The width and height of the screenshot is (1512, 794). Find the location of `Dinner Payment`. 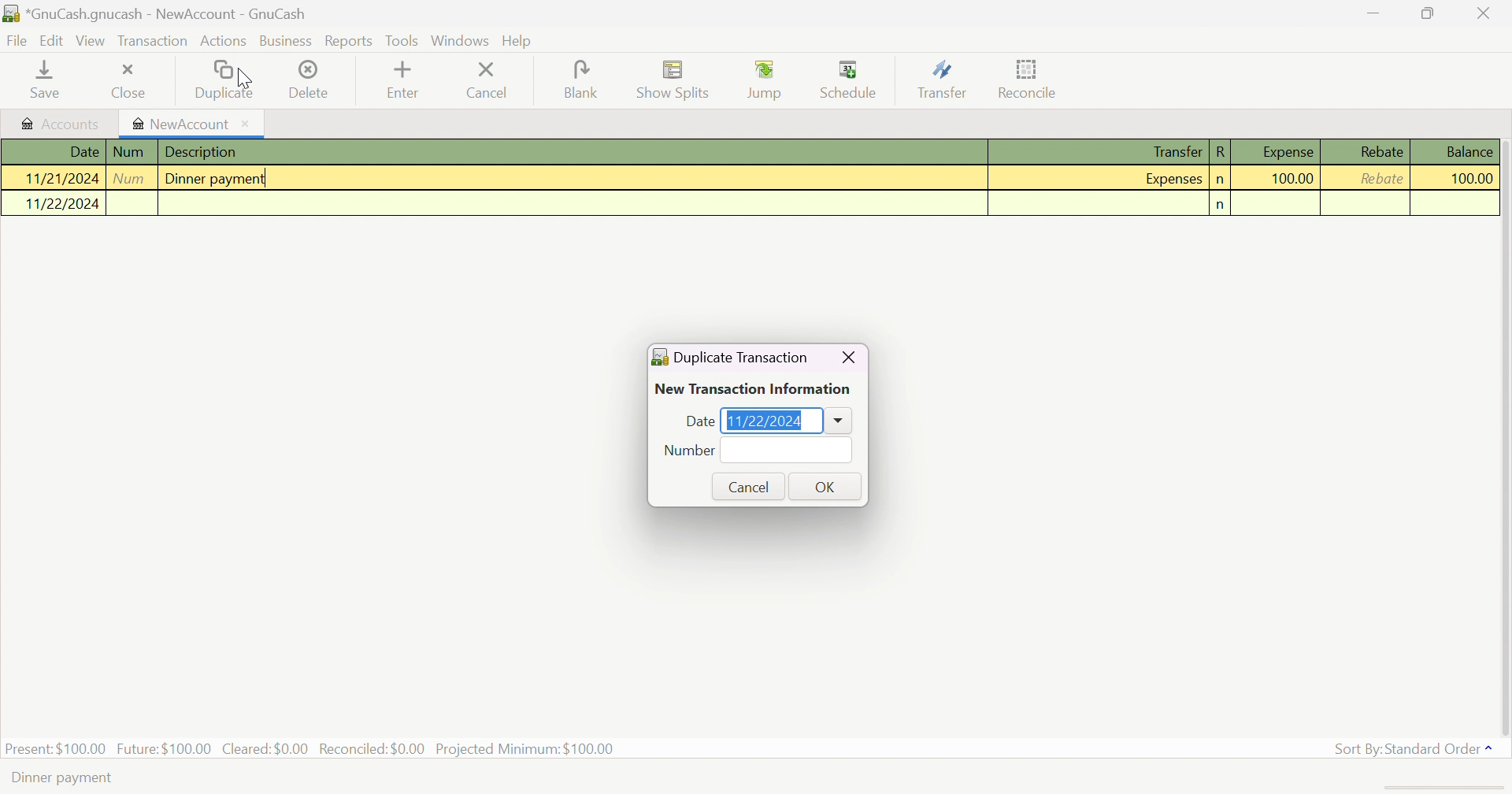

Dinner Payment is located at coordinates (65, 776).